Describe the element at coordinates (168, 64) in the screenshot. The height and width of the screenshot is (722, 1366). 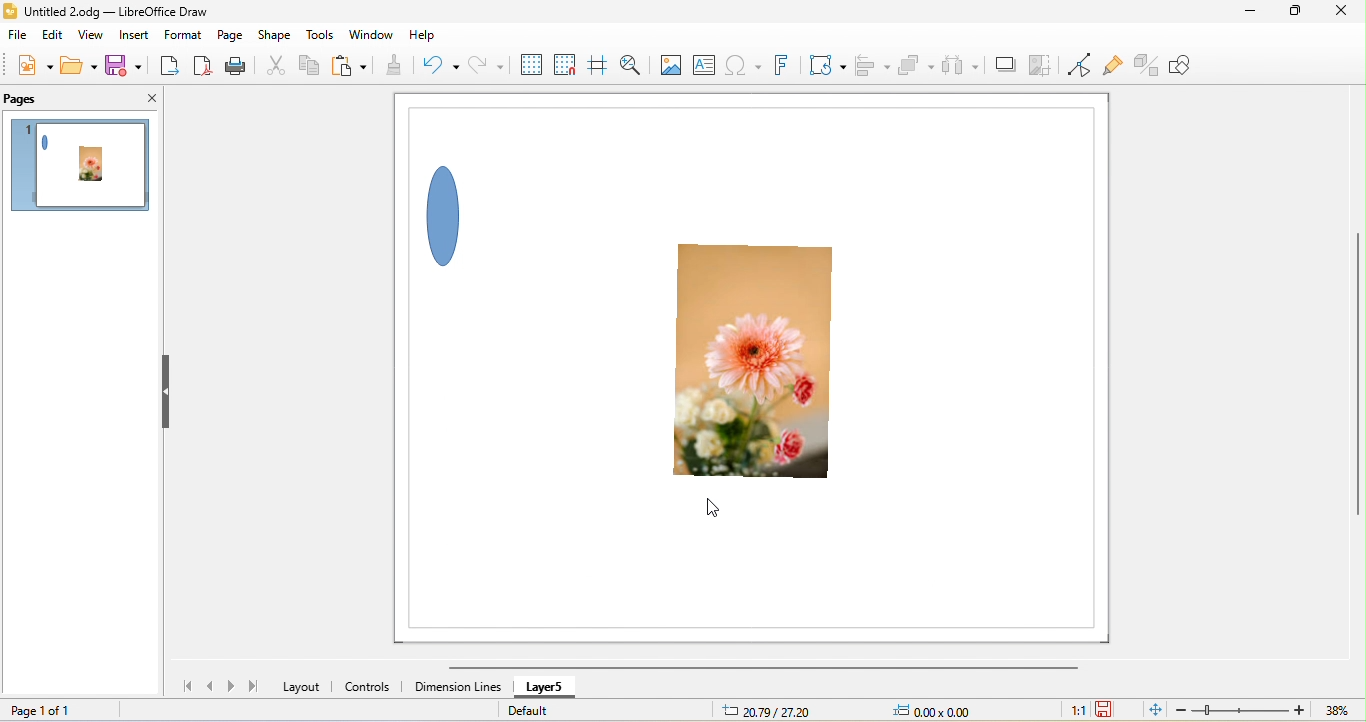
I see `export` at that location.